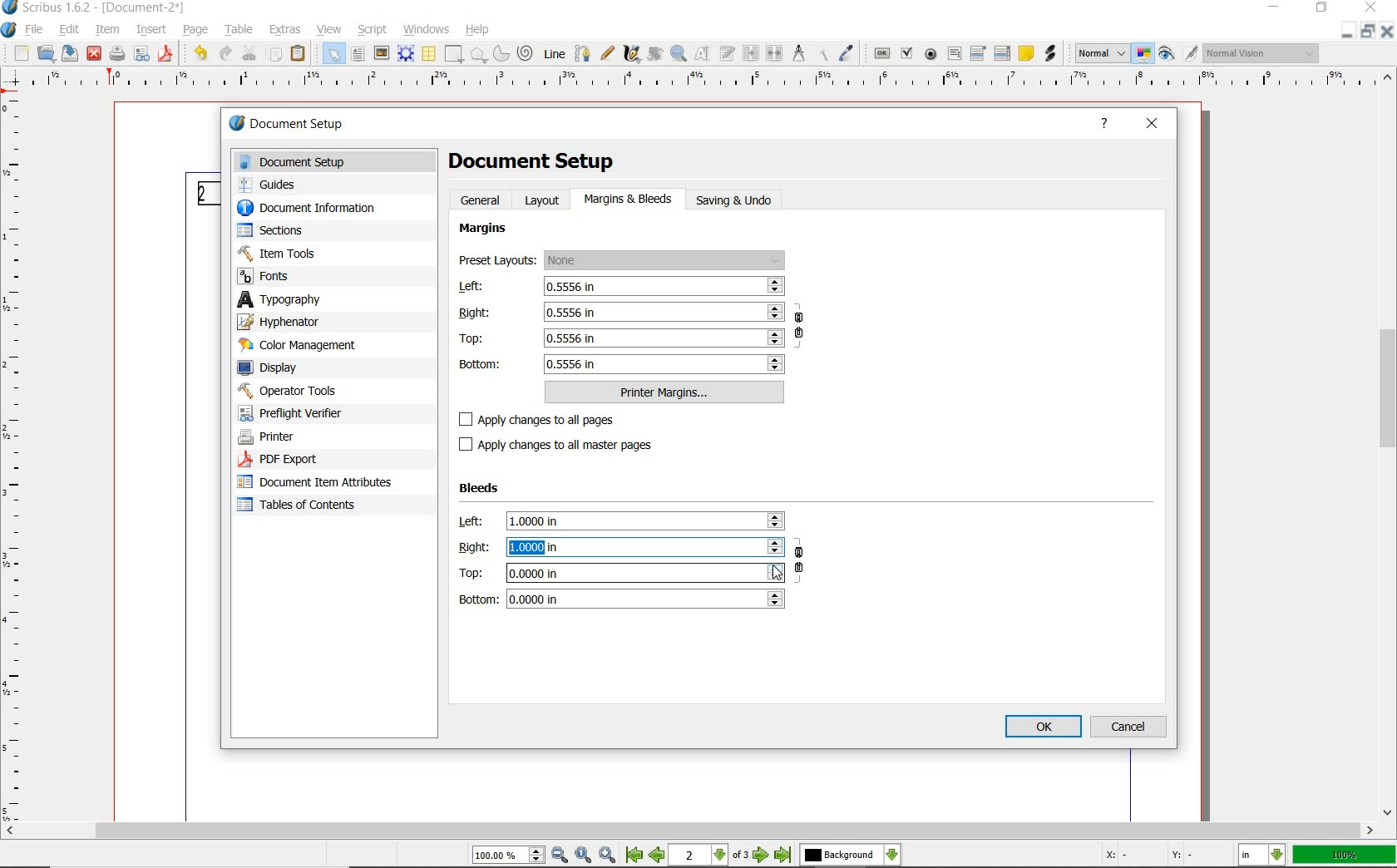 The width and height of the screenshot is (1397, 868). Describe the element at coordinates (452, 55) in the screenshot. I see `shape` at that location.